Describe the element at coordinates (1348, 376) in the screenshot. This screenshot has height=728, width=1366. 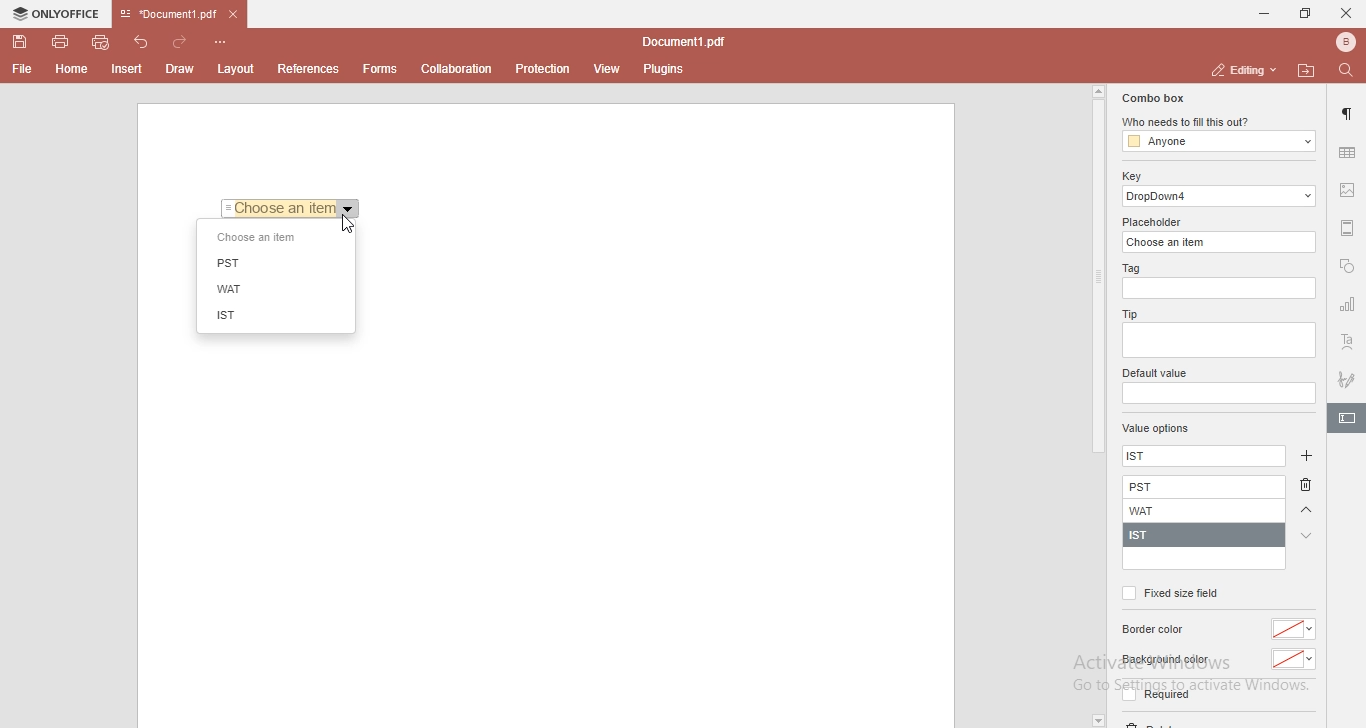
I see `signature` at that location.